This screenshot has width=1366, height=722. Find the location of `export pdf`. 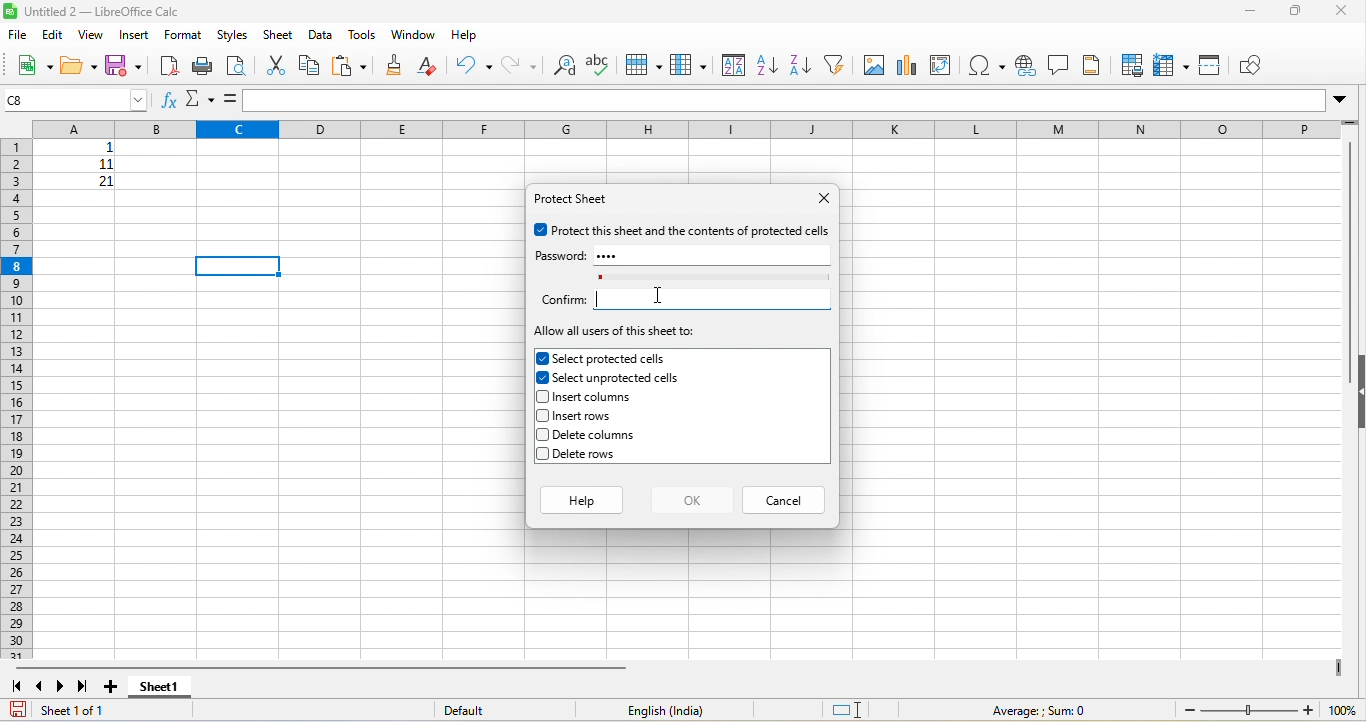

export pdf is located at coordinates (168, 65).